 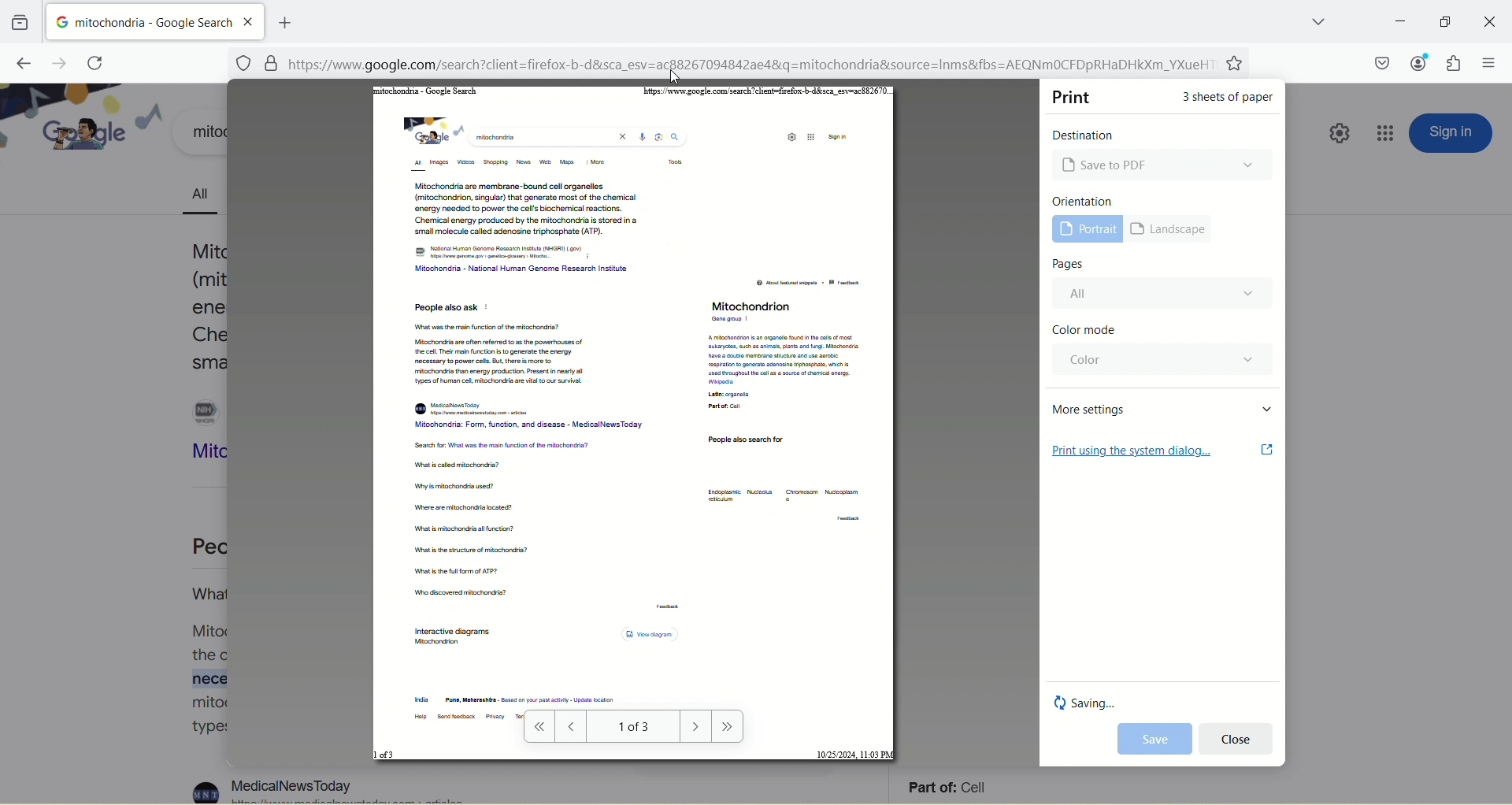 What do you see at coordinates (1336, 136) in the screenshot?
I see `quick setting` at bounding box center [1336, 136].